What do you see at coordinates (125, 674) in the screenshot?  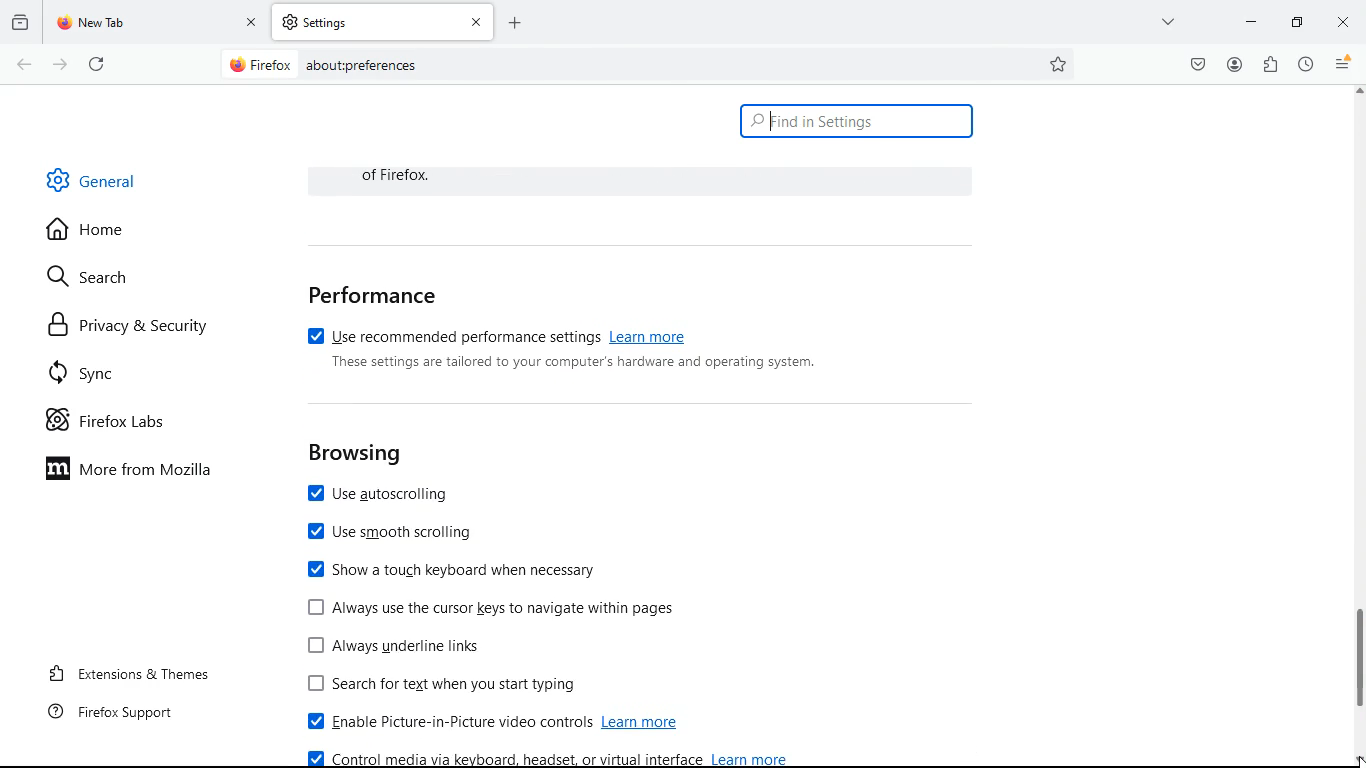 I see `extensions & themes` at bounding box center [125, 674].